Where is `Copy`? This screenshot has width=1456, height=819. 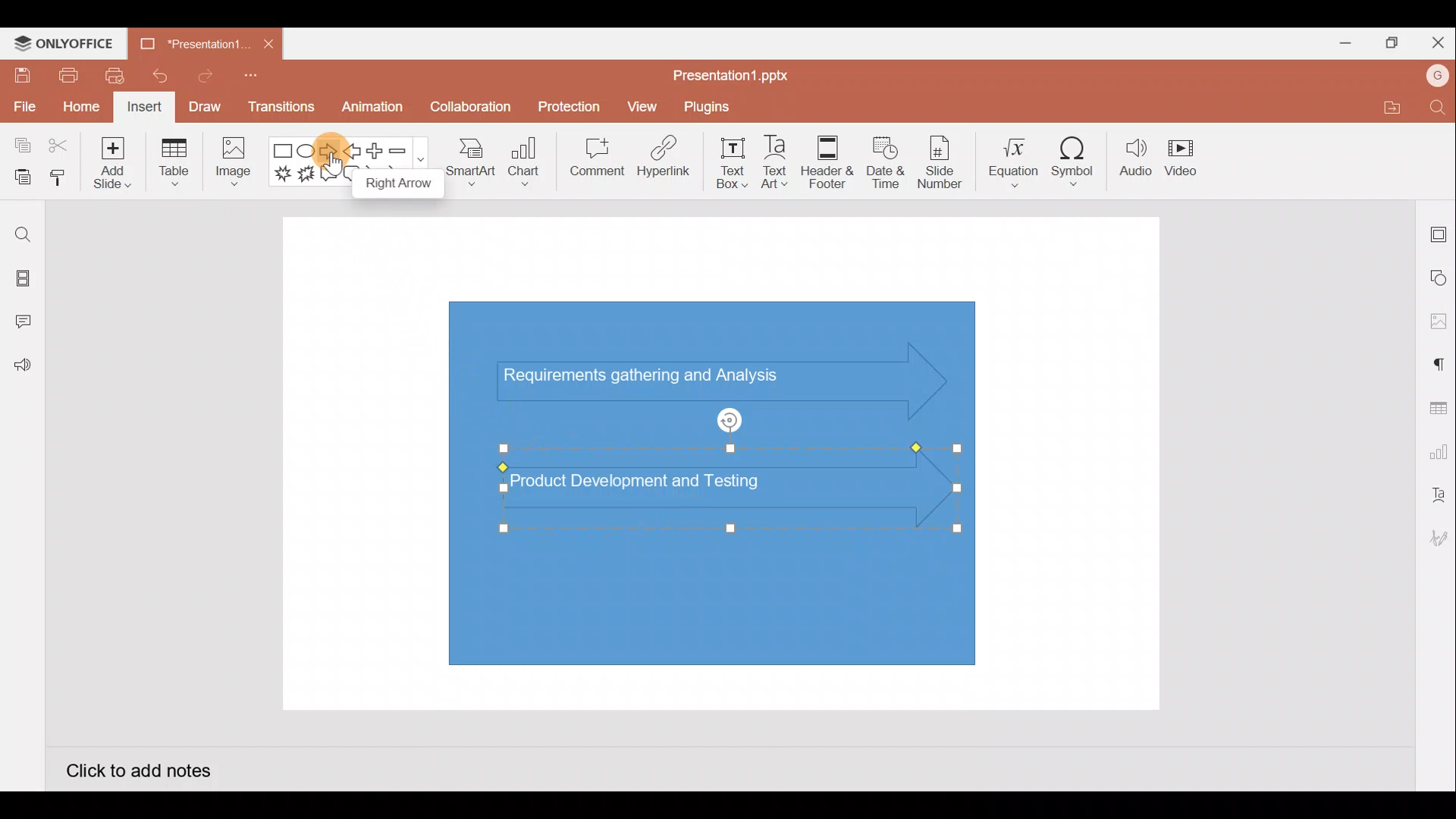
Copy is located at coordinates (20, 146).